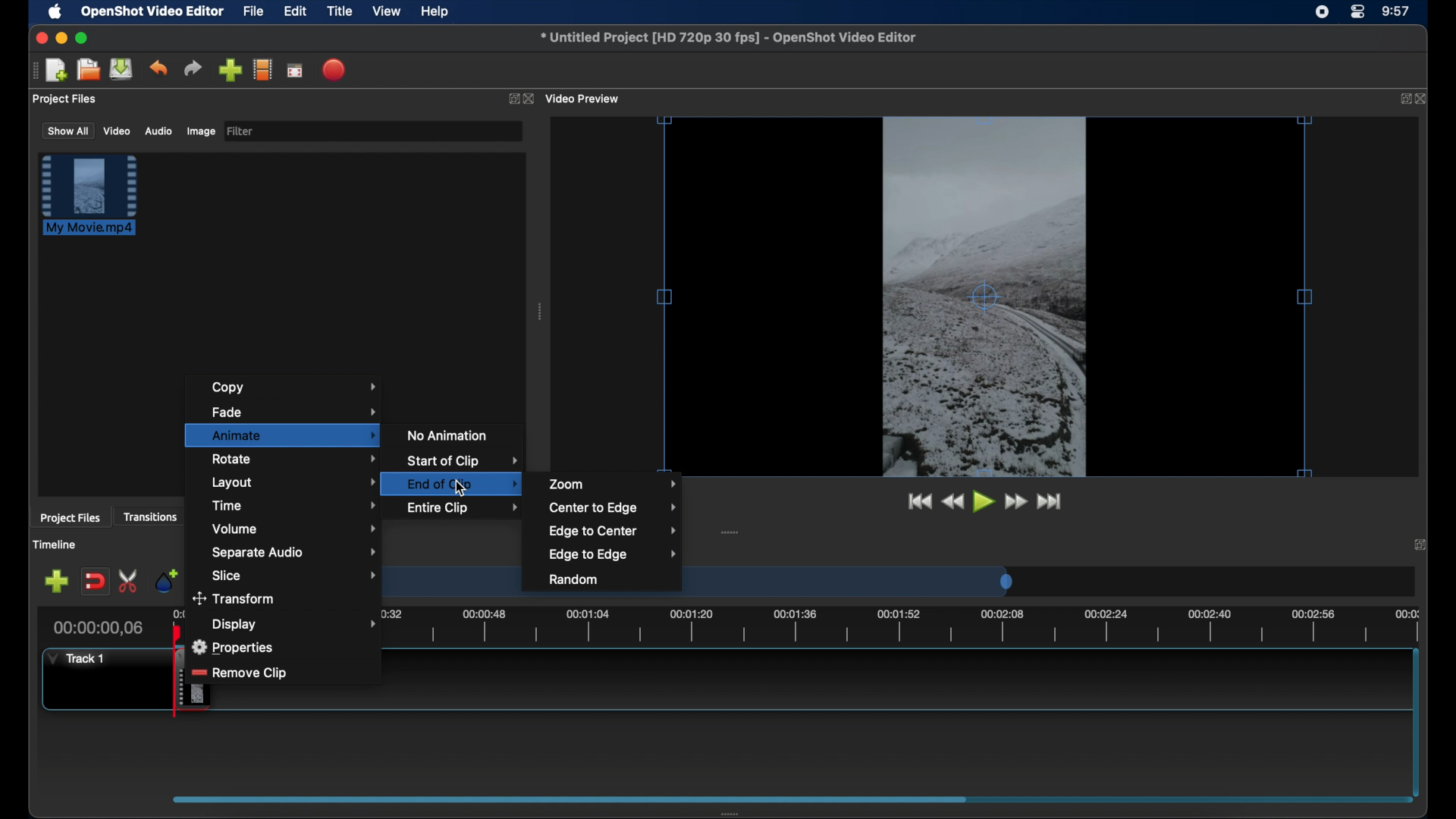 The height and width of the screenshot is (819, 1456). What do you see at coordinates (1050, 501) in the screenshot?
I see `jumpt to  end` at bounding box center [1050, 501].